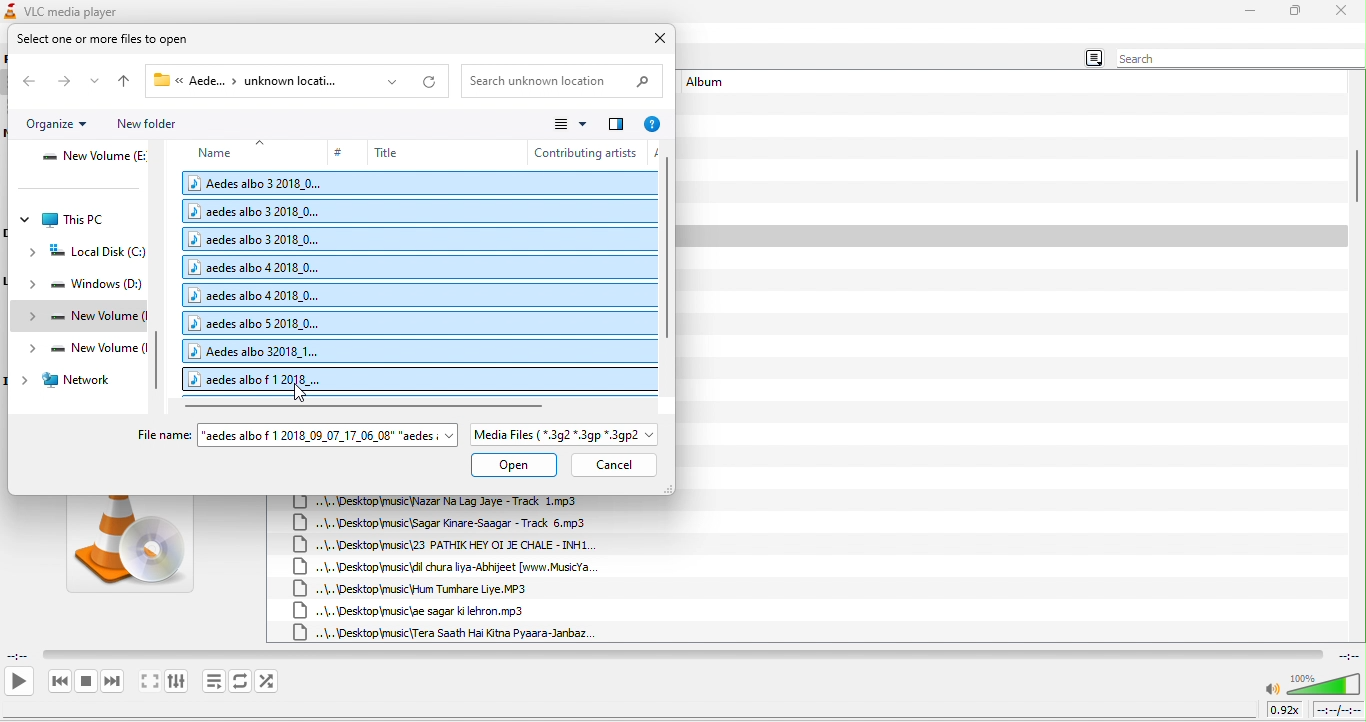 The width and height of the screenshot is (1366, 722). Describe the element at coordinates (711, 84) in the screenshot. I see `album` at that location.